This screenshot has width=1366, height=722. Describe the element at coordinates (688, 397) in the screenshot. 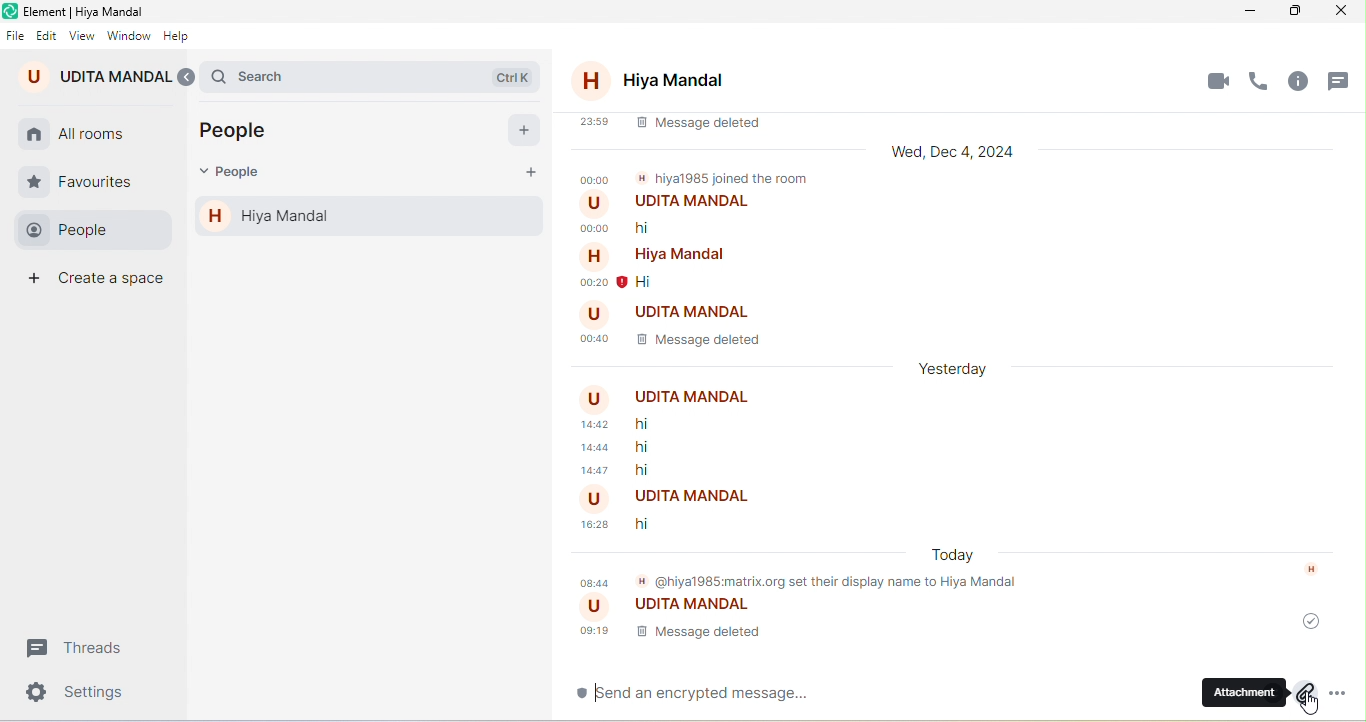

I see `UDITA MANDAL` at that location.